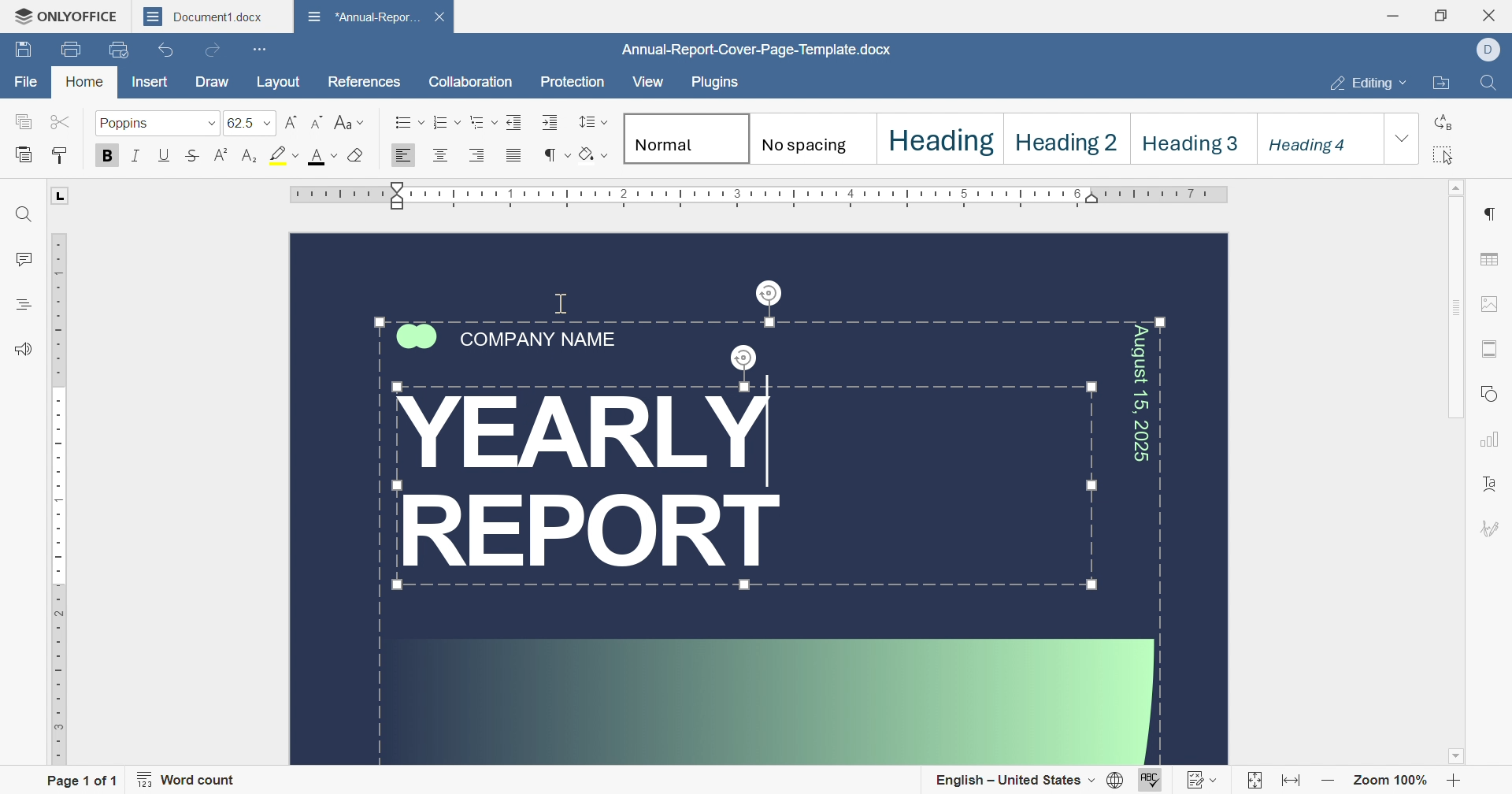  What do you see at coordinates (80, 780) in the screenshot?
I see `page 1 of 1` at bounding box center [80, 780].